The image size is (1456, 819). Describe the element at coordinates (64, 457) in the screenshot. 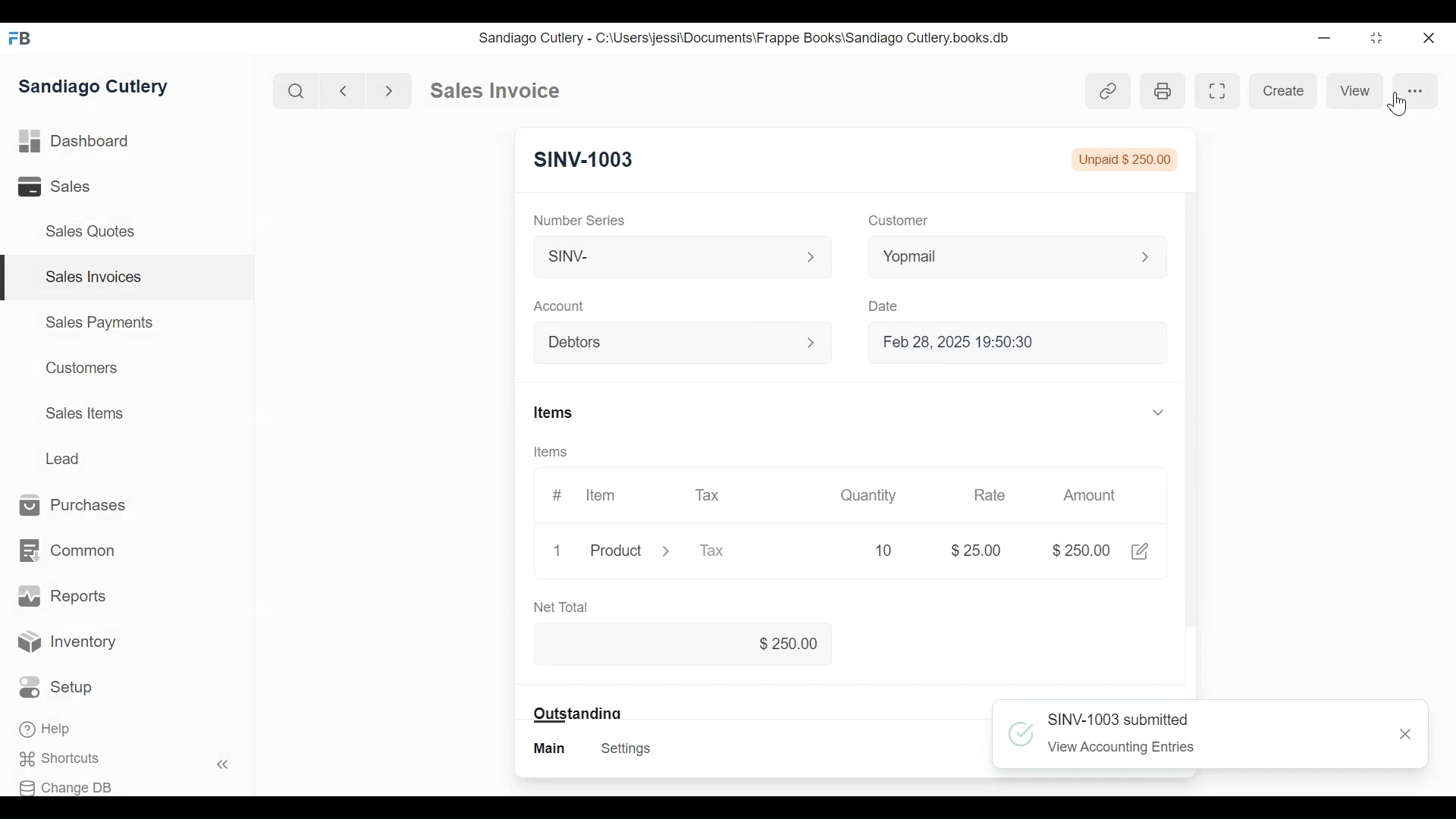

I see `Lead` at that location.